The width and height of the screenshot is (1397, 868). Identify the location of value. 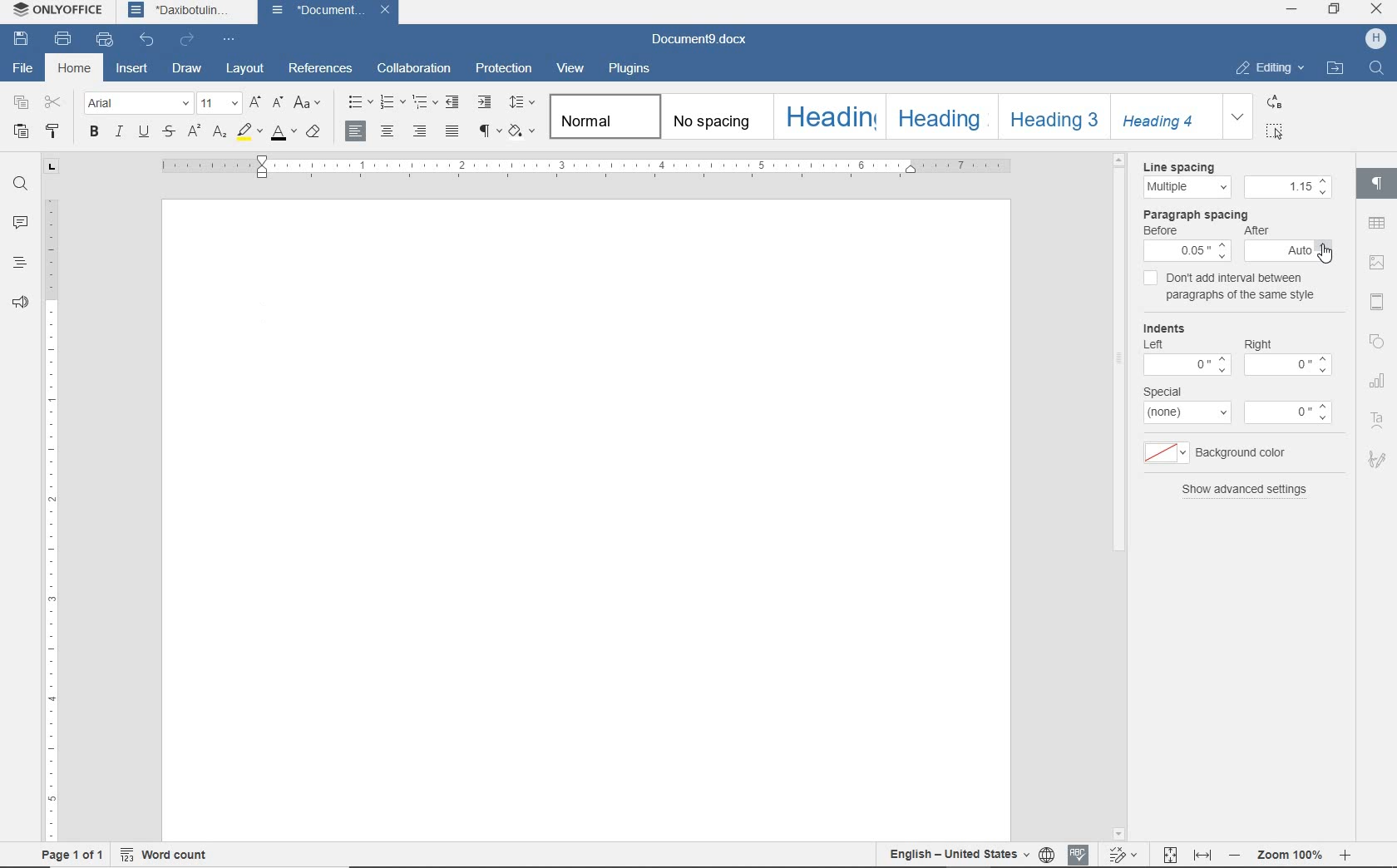
(1187, 365).